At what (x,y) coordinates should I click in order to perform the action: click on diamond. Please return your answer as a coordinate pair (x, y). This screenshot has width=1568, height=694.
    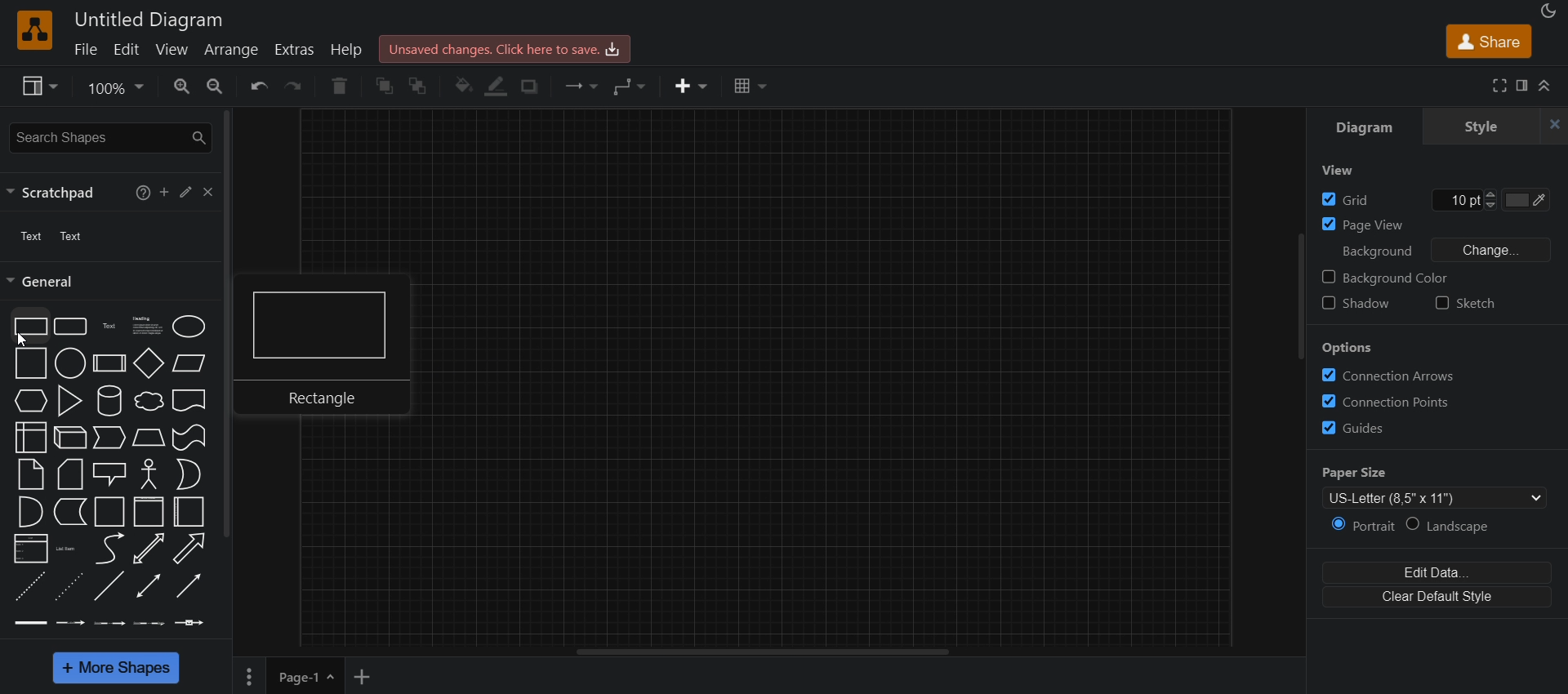
    Looking at the image, I should click on (150, 362).